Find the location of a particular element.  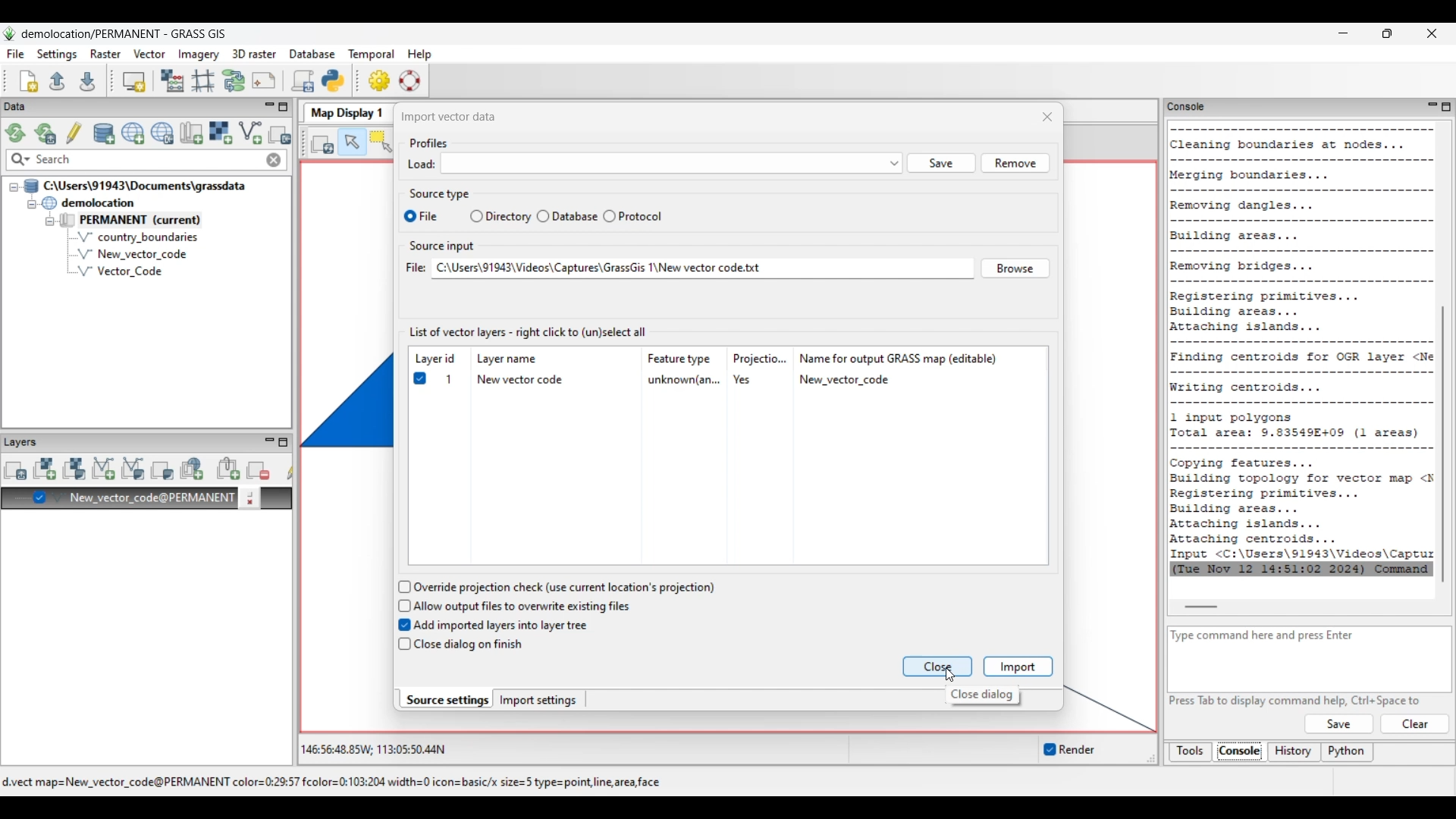

Download sample project (location) to current GRASS database is located at coordinates (162, 133).